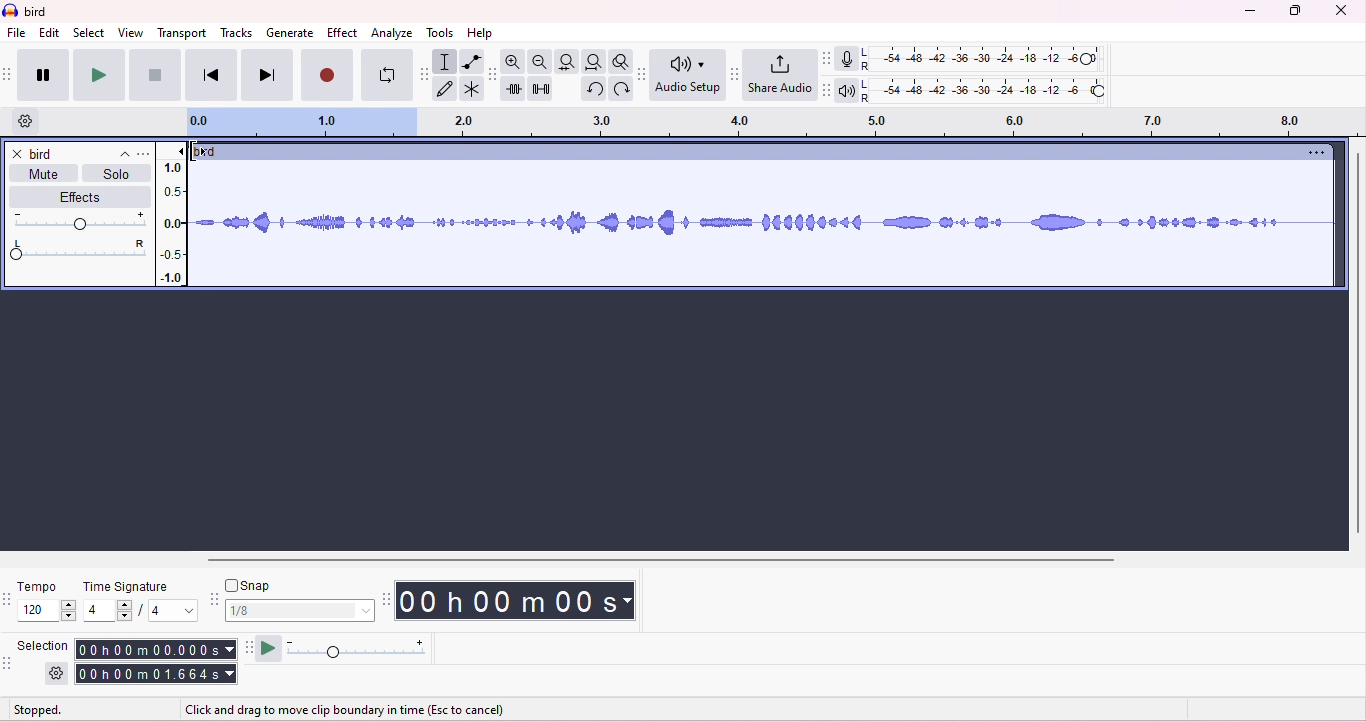 This screenshot has width=1366, height=722. I want to click on minimize, so click(1247, 12).